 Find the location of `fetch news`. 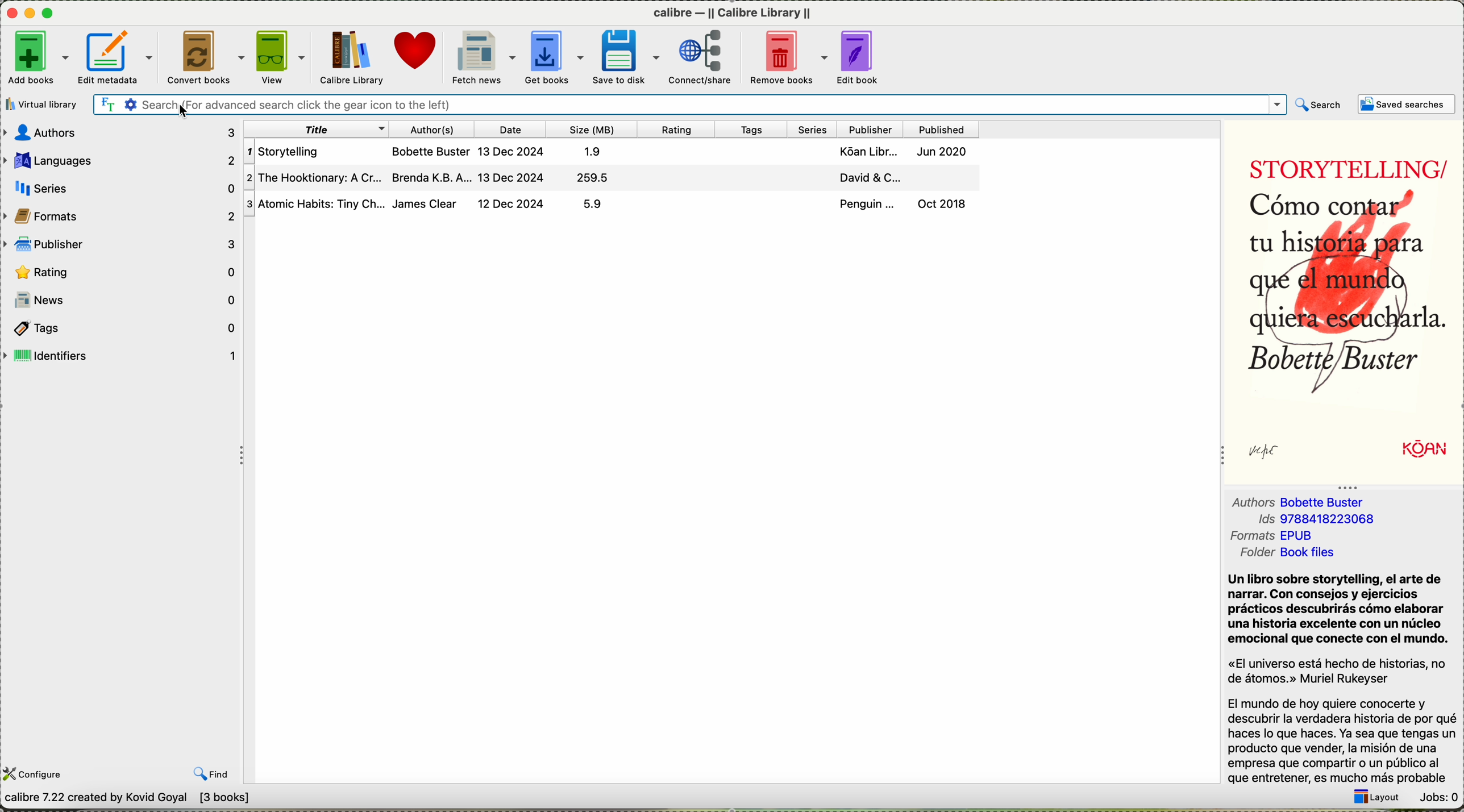

fetch news is located at coordinates (482, 57).